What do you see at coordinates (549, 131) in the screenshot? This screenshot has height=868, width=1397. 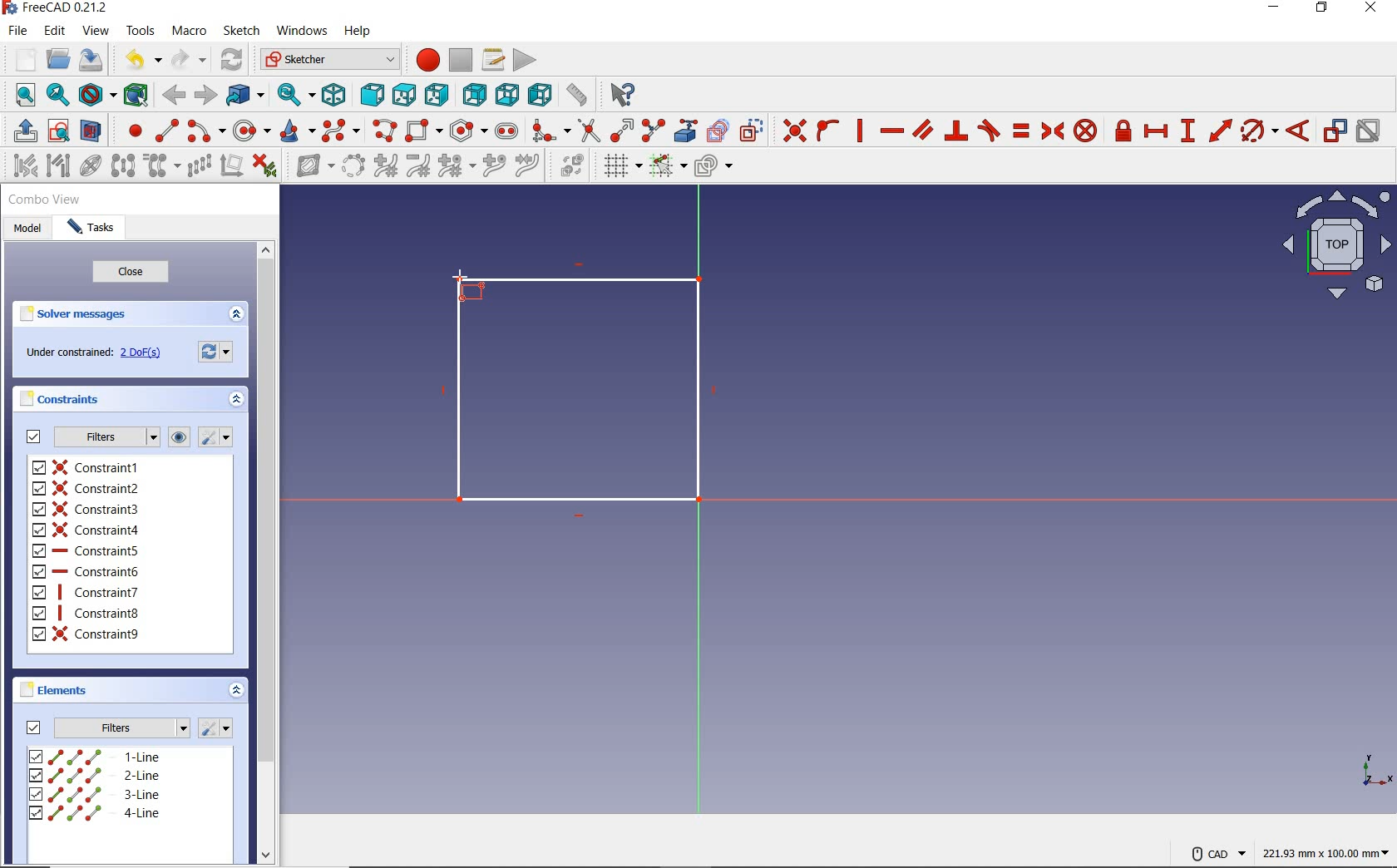 I see `create fillet` at bounding box center [549, 131].